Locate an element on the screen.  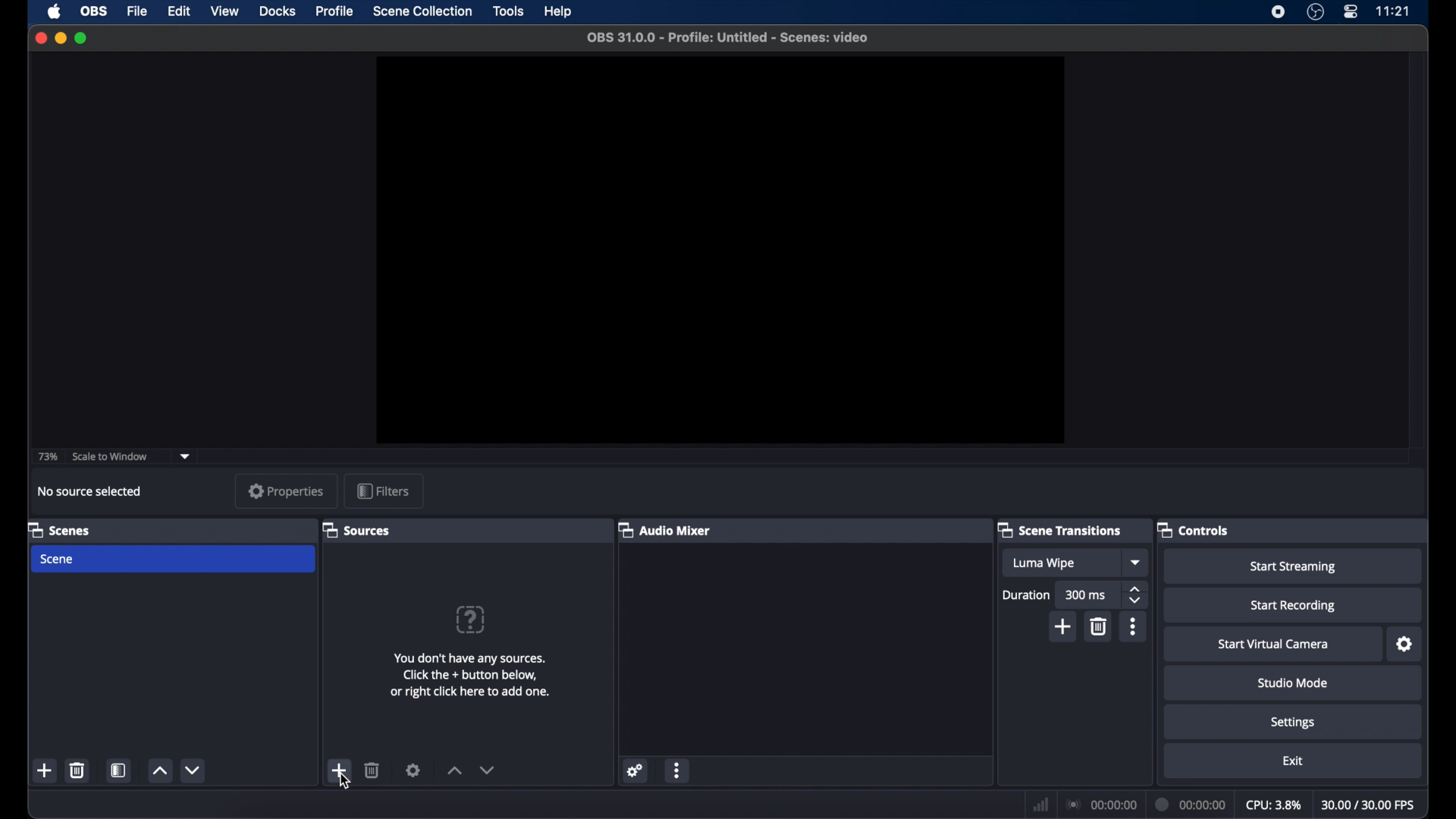
scene is located at coordinates (59, 560).